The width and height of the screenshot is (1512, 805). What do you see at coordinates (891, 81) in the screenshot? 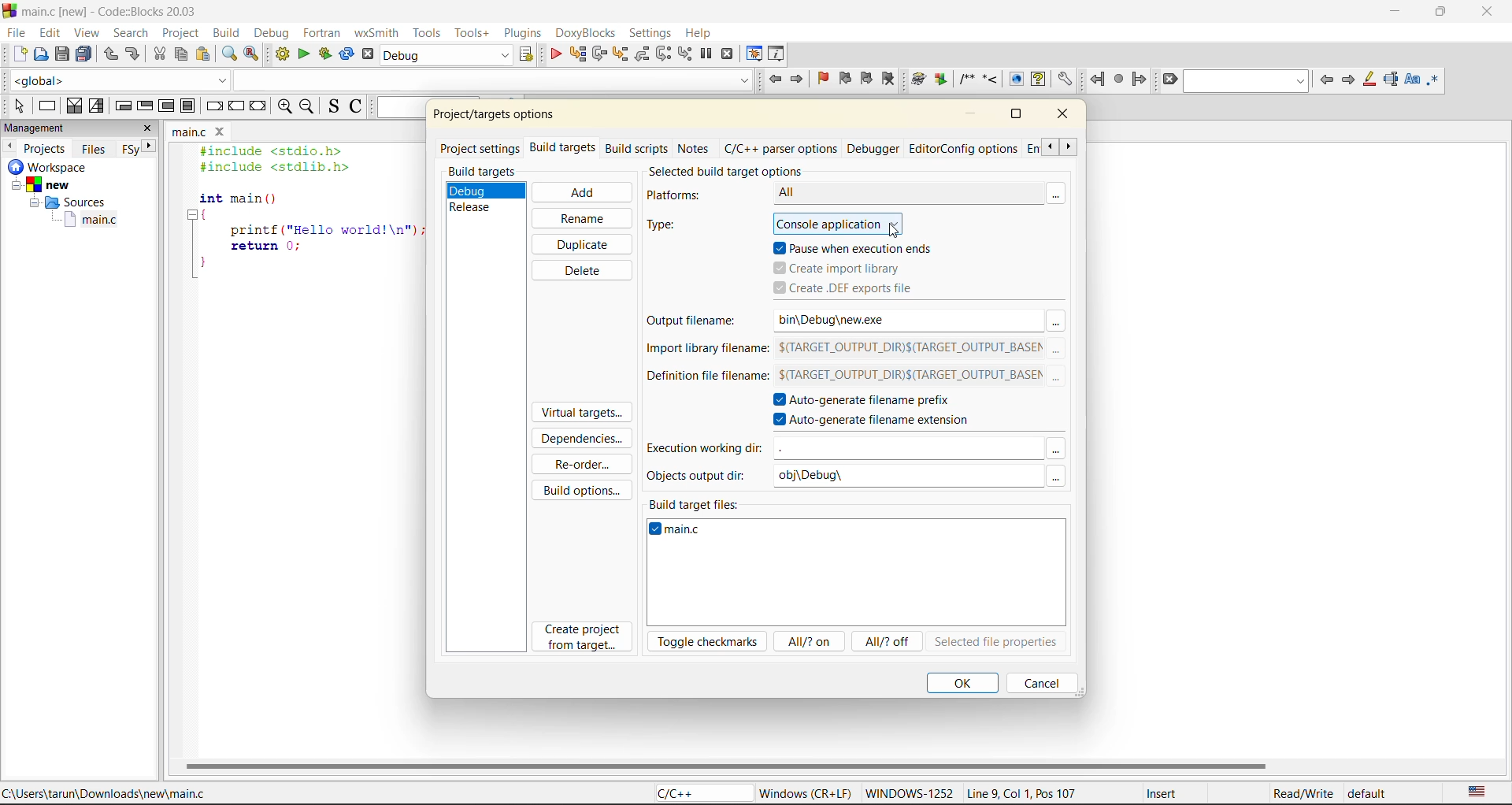
I see `clear bookmark` at bounding box center [891, 81].